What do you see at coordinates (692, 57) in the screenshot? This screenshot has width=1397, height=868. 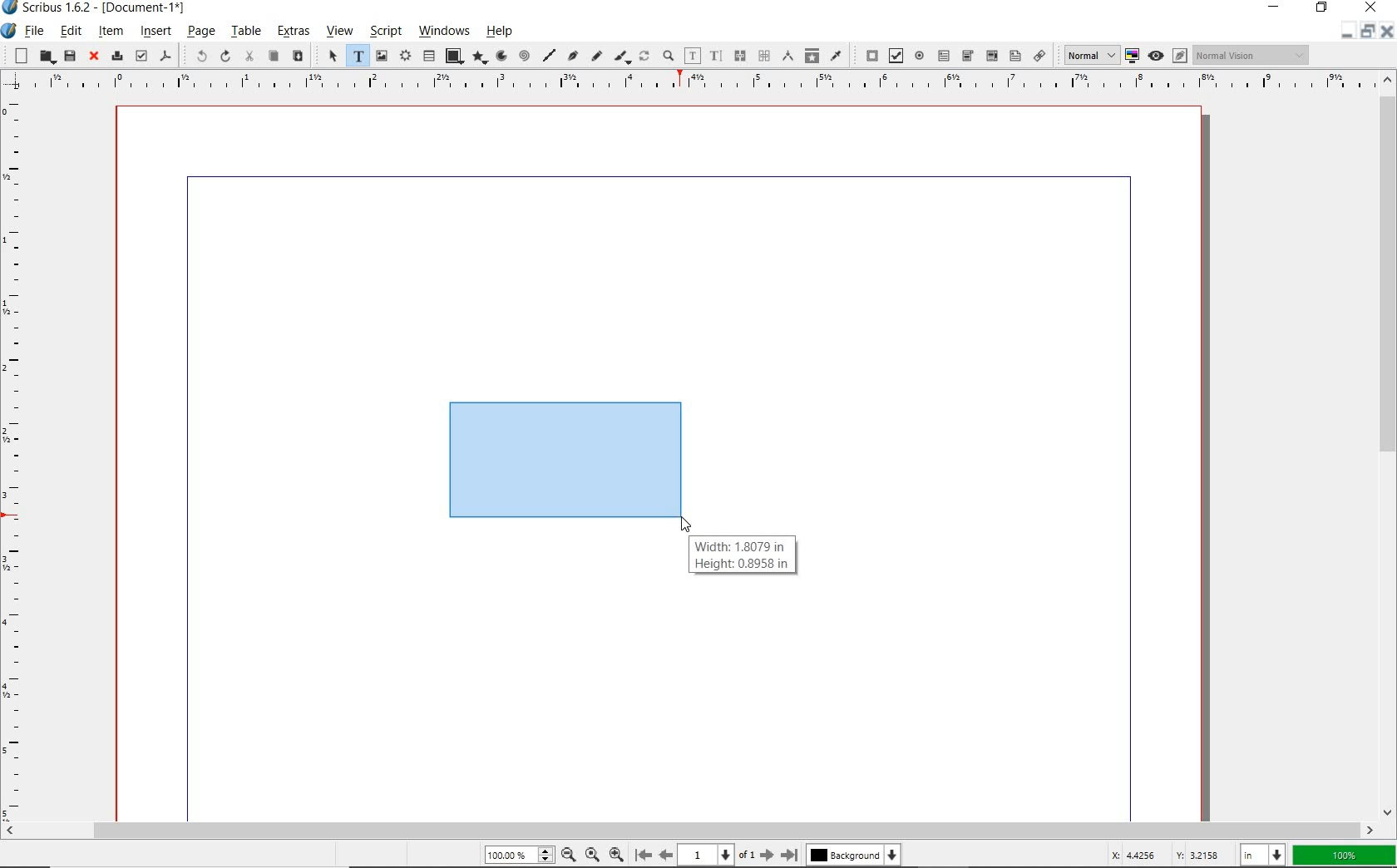 I see `edit contents of frame` at bounding box center [692, 57].